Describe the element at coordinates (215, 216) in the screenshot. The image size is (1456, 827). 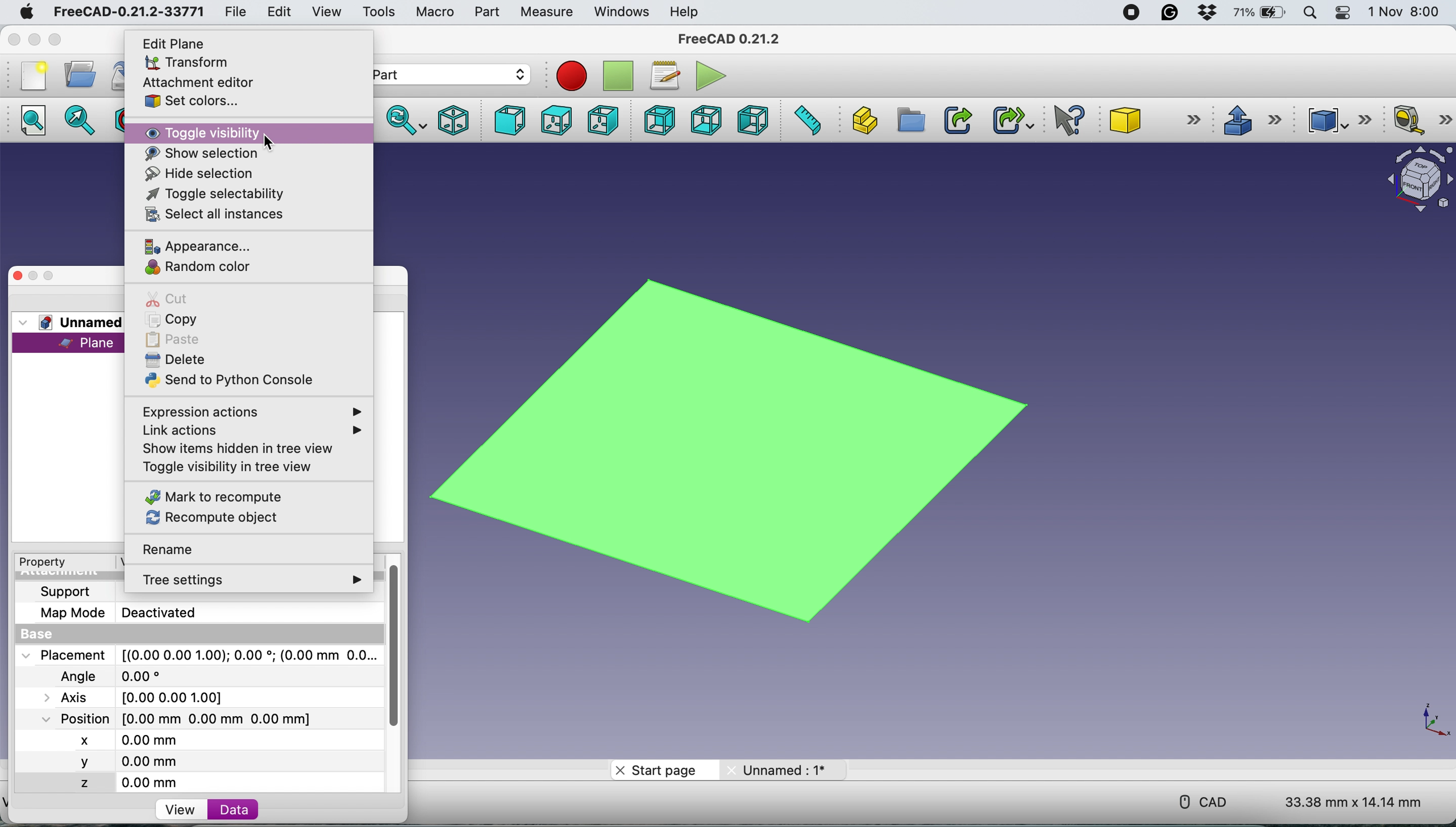
I see `select all instances` at that location.